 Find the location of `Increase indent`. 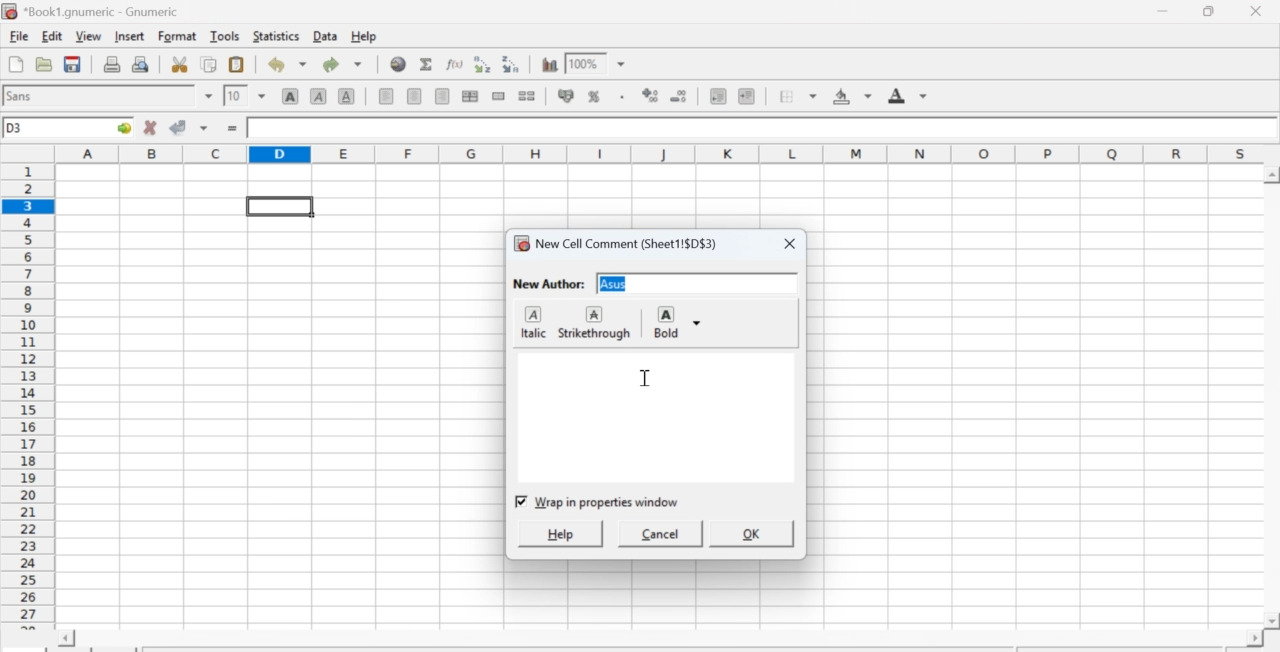

Increase indent is located at coordinates (751, 96).